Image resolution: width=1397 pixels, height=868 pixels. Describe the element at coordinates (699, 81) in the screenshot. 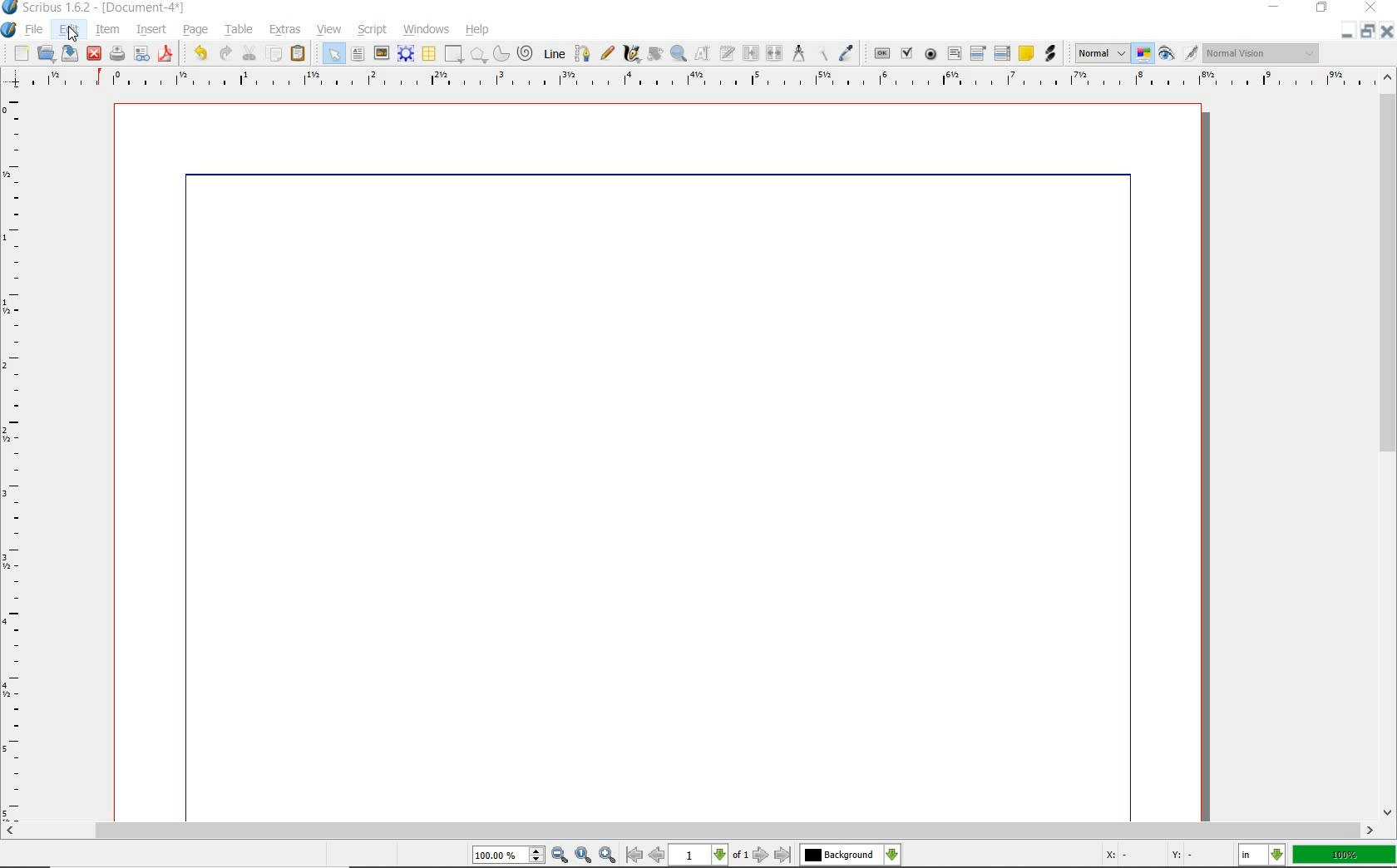

I see `ruler` at that location.